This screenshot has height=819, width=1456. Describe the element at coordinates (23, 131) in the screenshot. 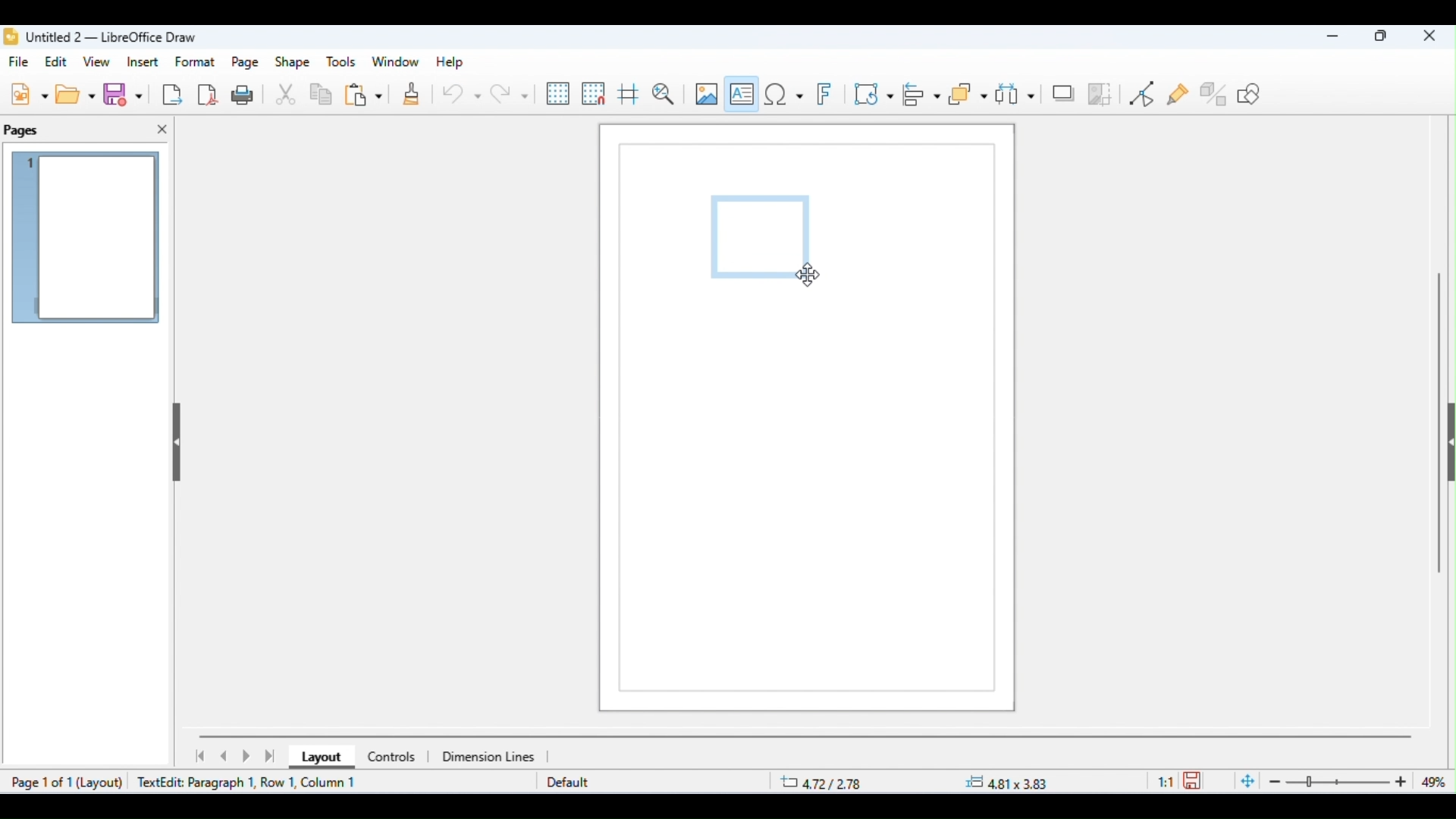

I see `pages` at that location.